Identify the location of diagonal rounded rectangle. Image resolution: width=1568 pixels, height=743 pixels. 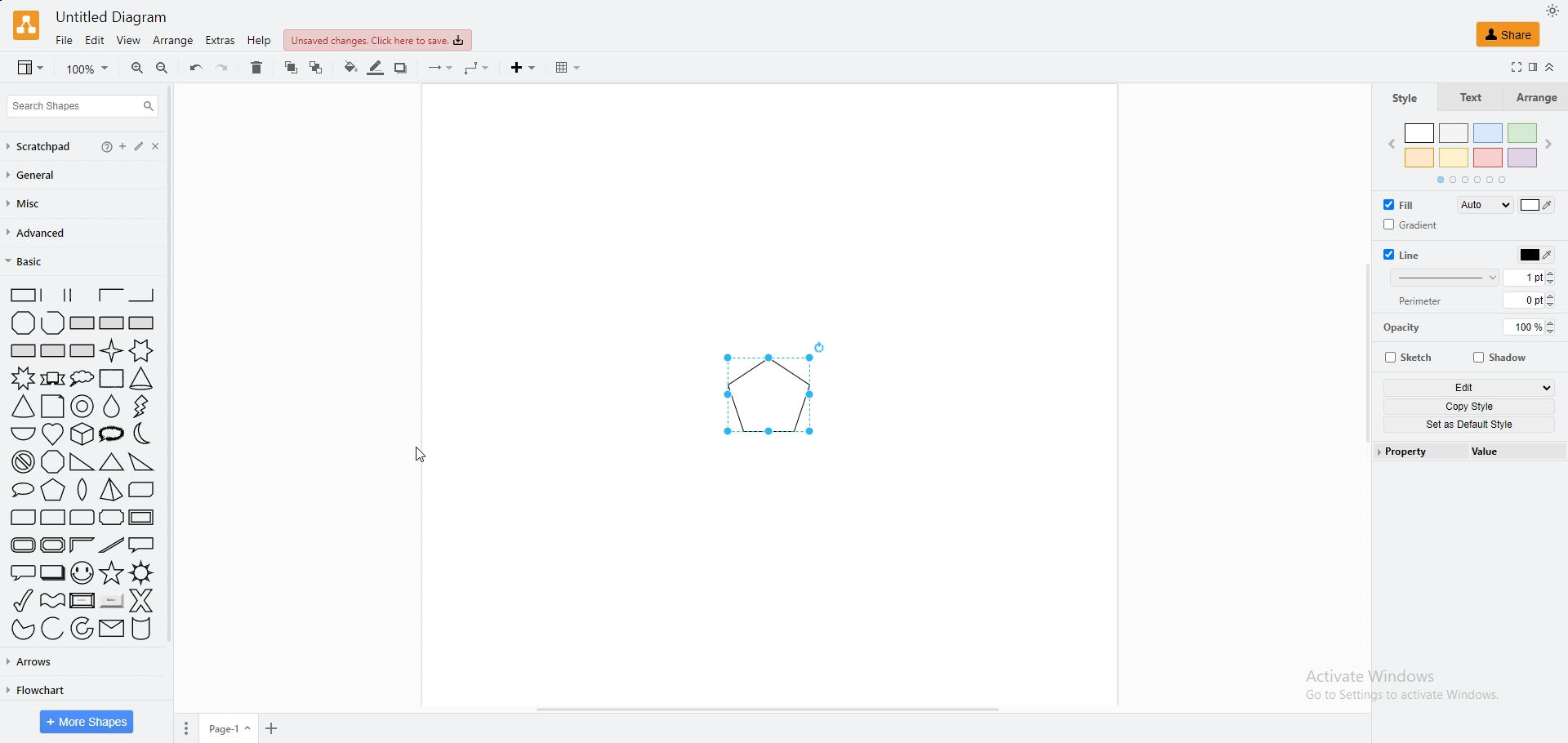
(21, 518).